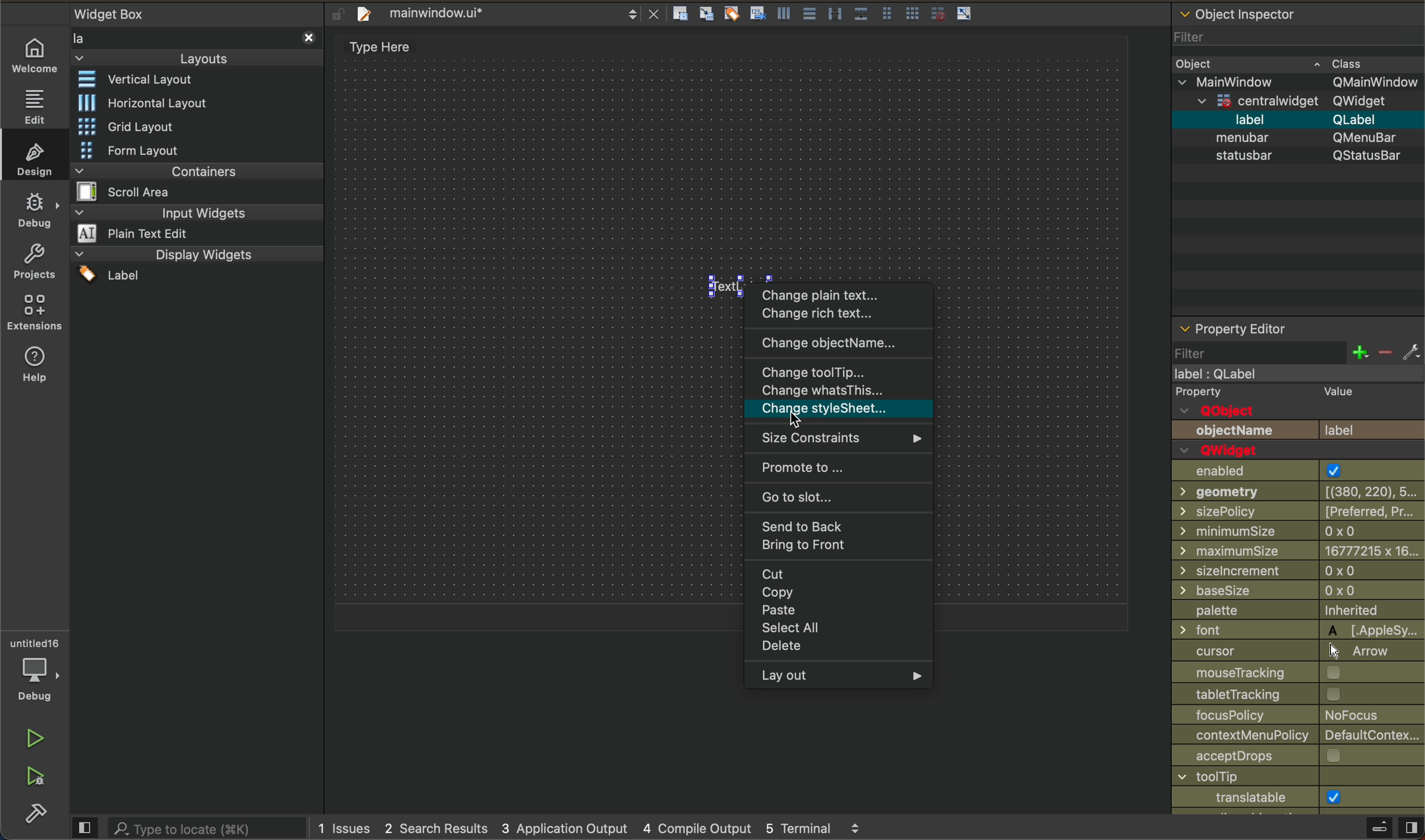  I want to click on lable, so click(746, 286).